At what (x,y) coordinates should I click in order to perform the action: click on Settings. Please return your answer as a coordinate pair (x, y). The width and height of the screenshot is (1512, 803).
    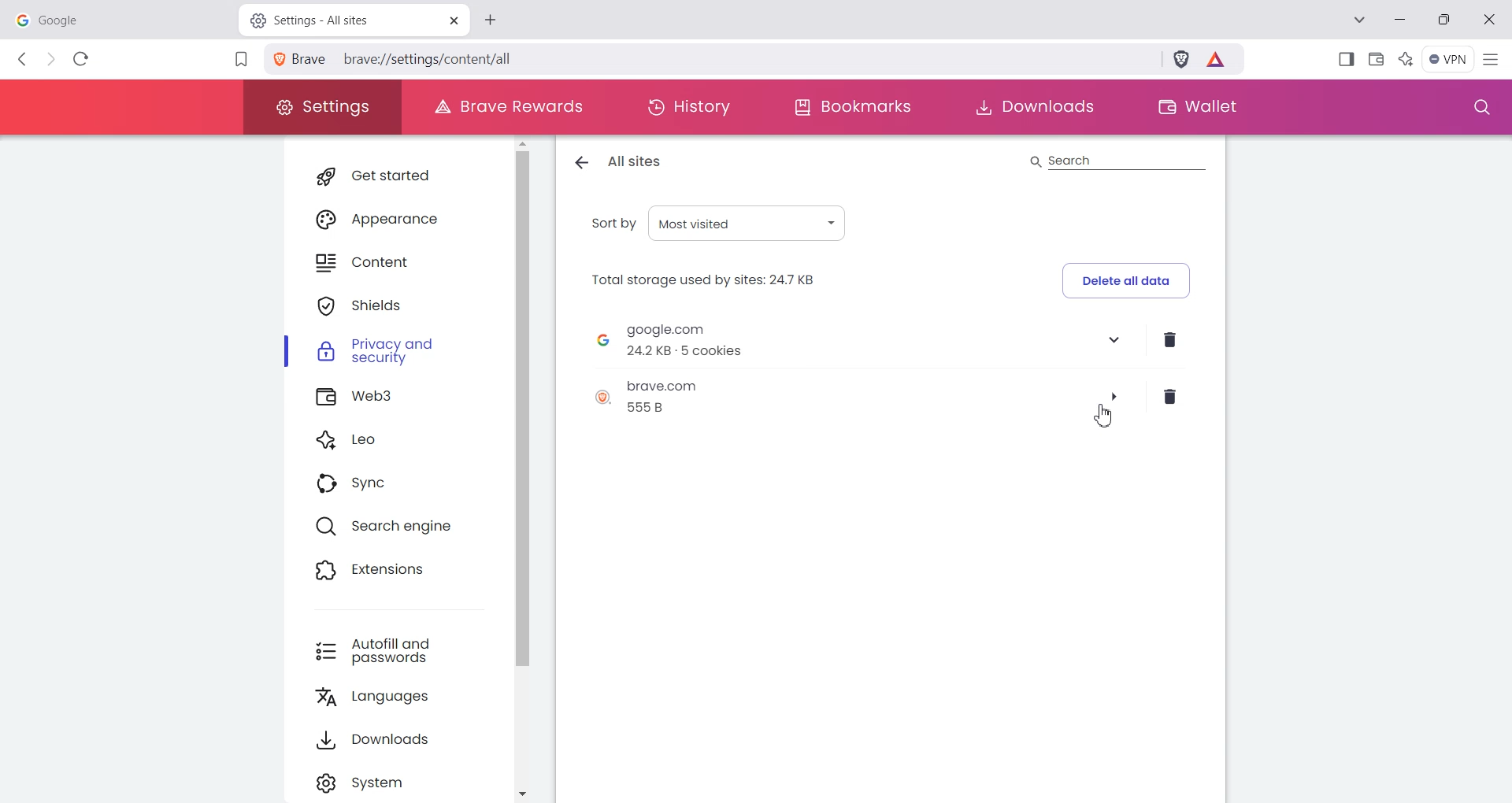
    Looking at the image, I should click on (396, 783).